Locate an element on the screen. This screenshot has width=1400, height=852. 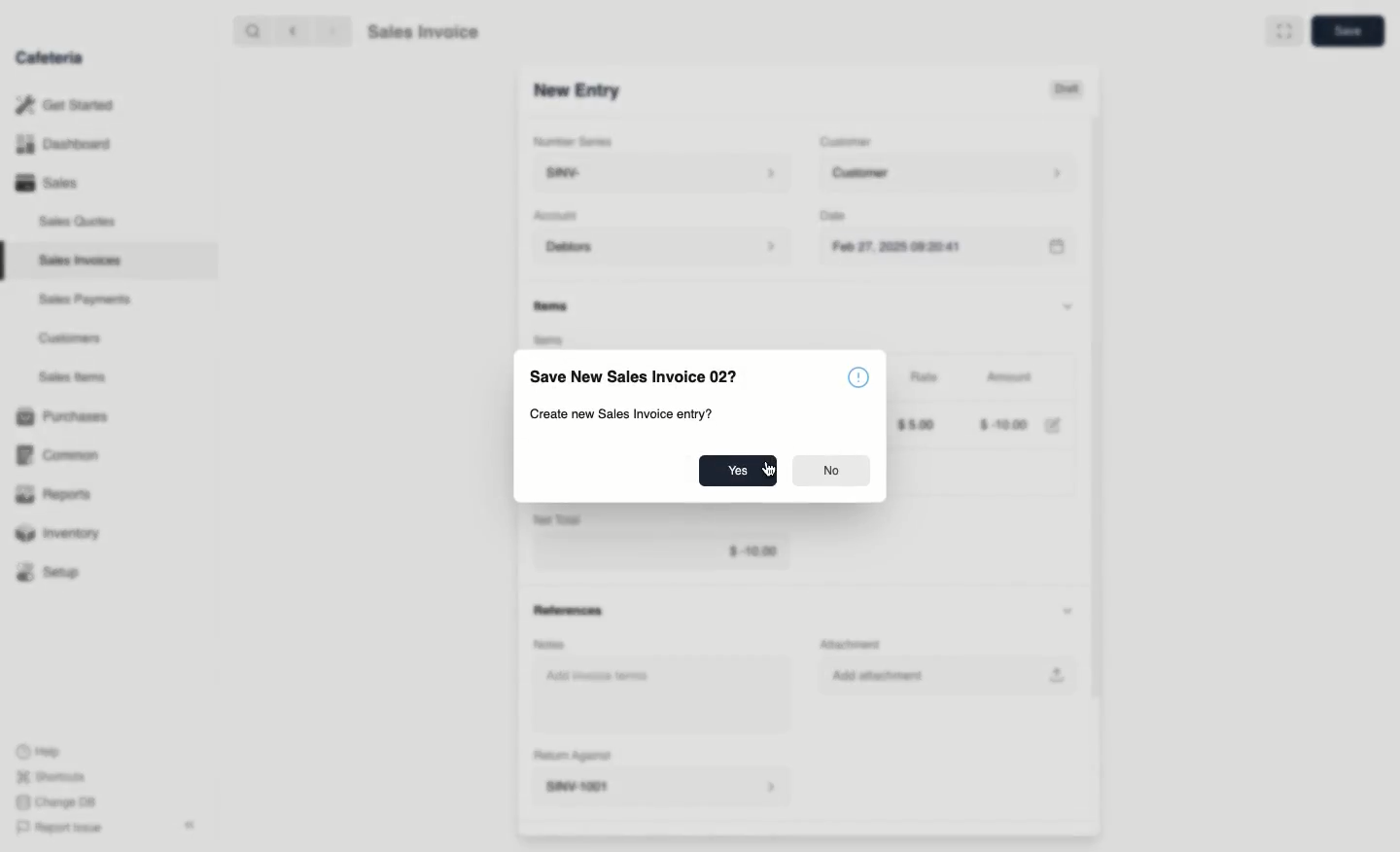
back is located at coordinates (296, 31).